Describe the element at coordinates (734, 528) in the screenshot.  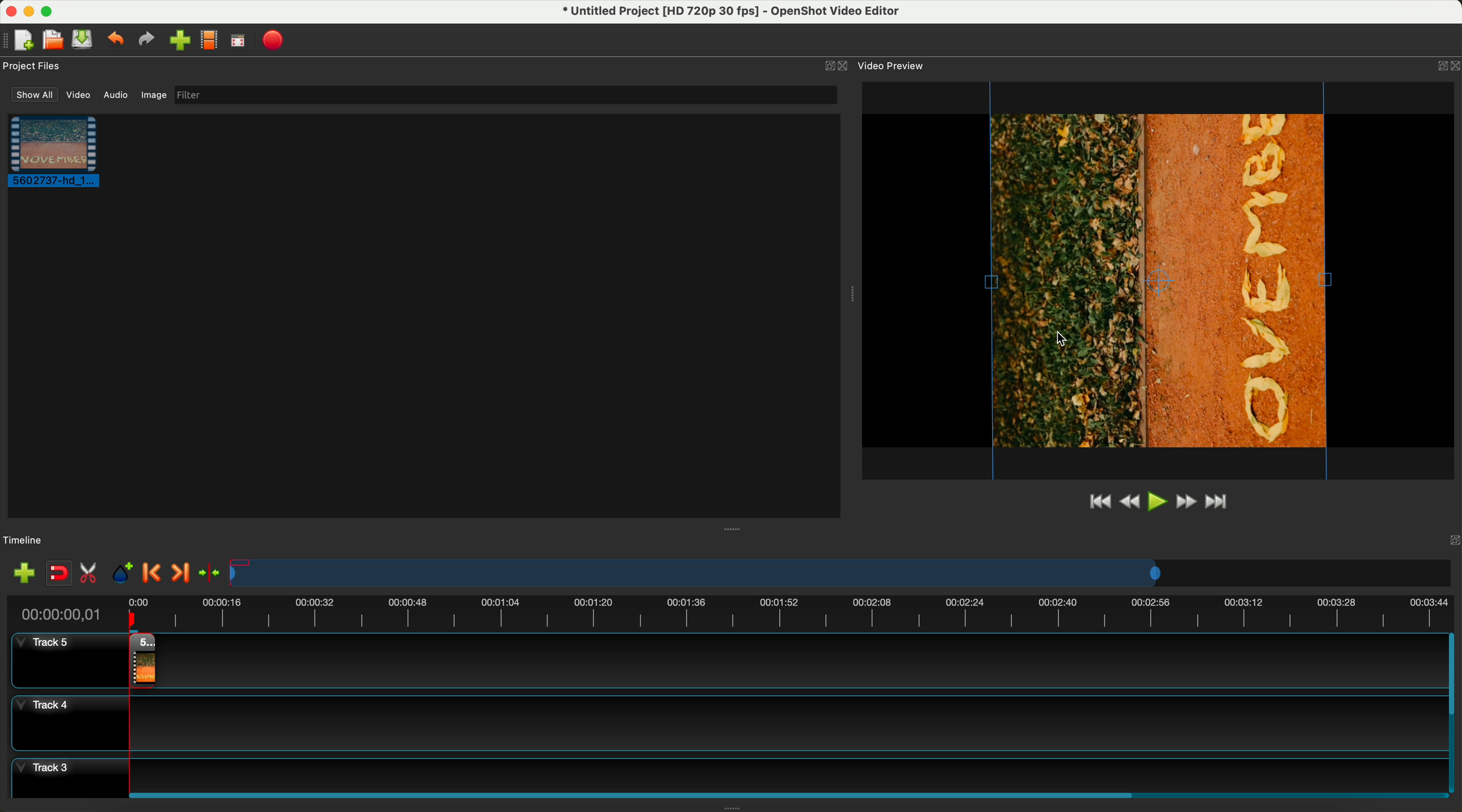
I see `` at that location.